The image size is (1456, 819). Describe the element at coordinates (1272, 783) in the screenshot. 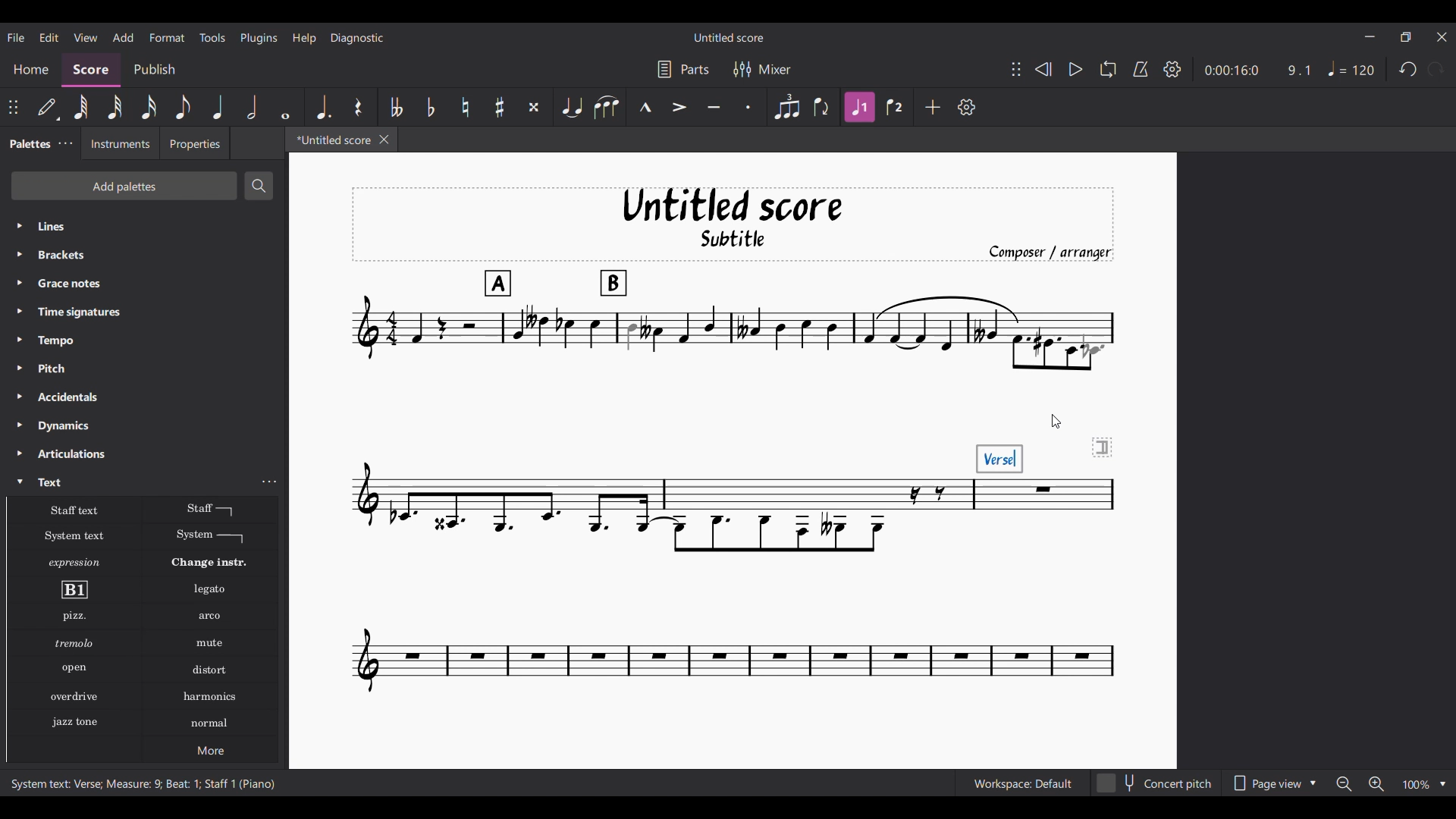

I see `Page view options` at that location.